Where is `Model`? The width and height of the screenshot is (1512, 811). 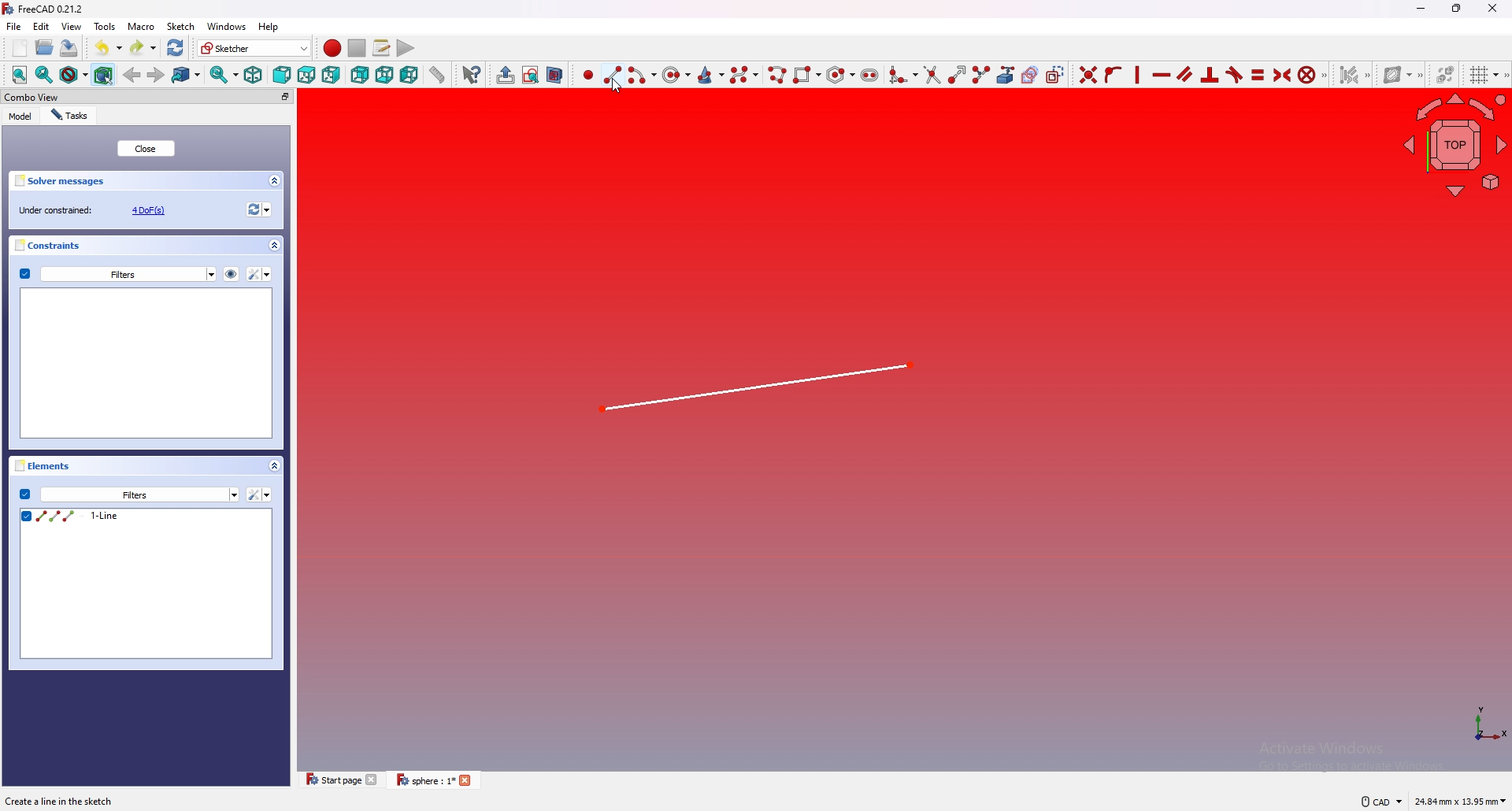
Model is located at coordinates (20, 116).